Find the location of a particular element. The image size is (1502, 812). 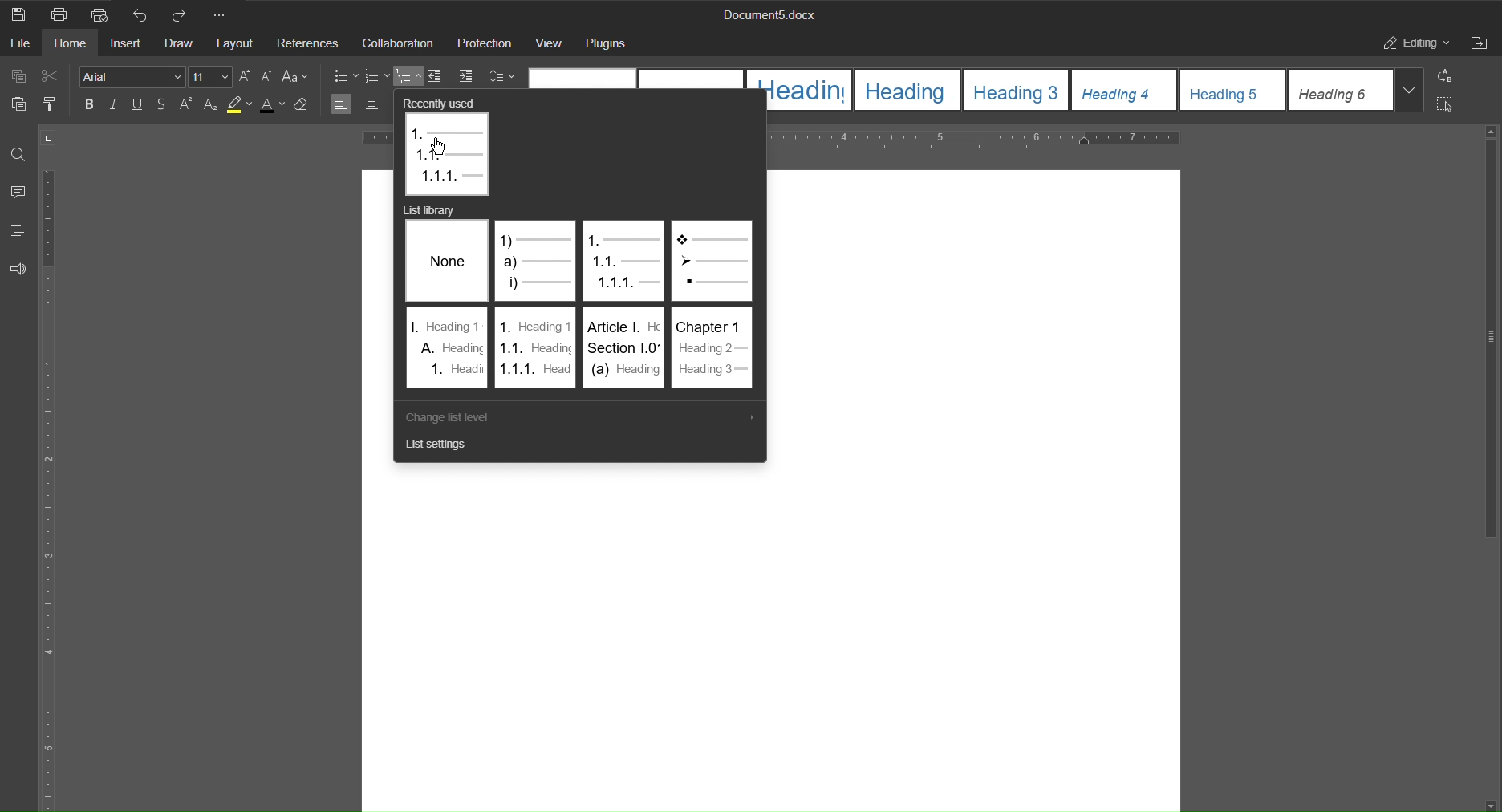

List settings is located at coordinates (438, 449).